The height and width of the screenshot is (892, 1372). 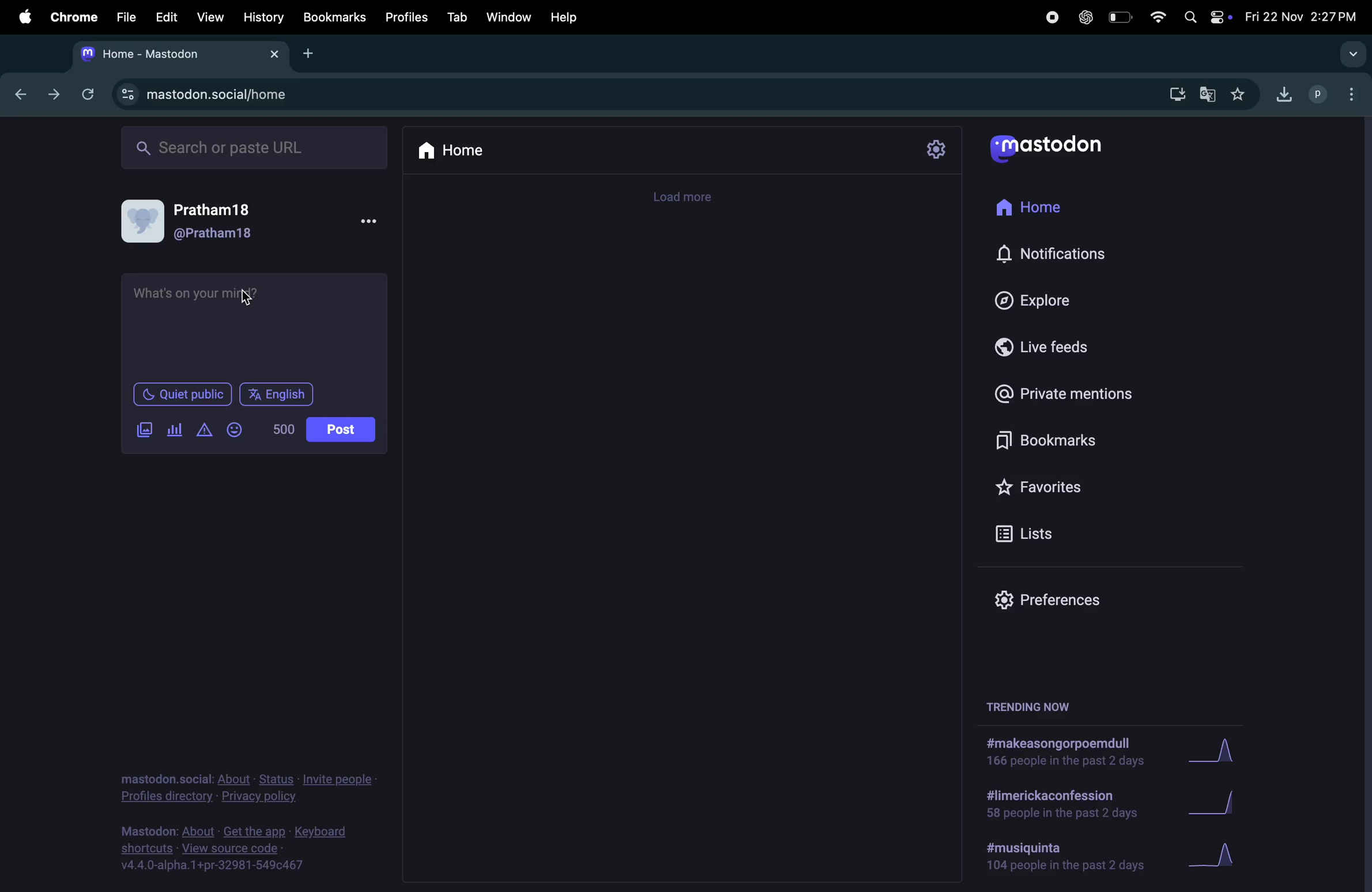 What do you see at coordinates (233, 850) in the screenshot?
I see `source code` at bounding box center [233, 850].